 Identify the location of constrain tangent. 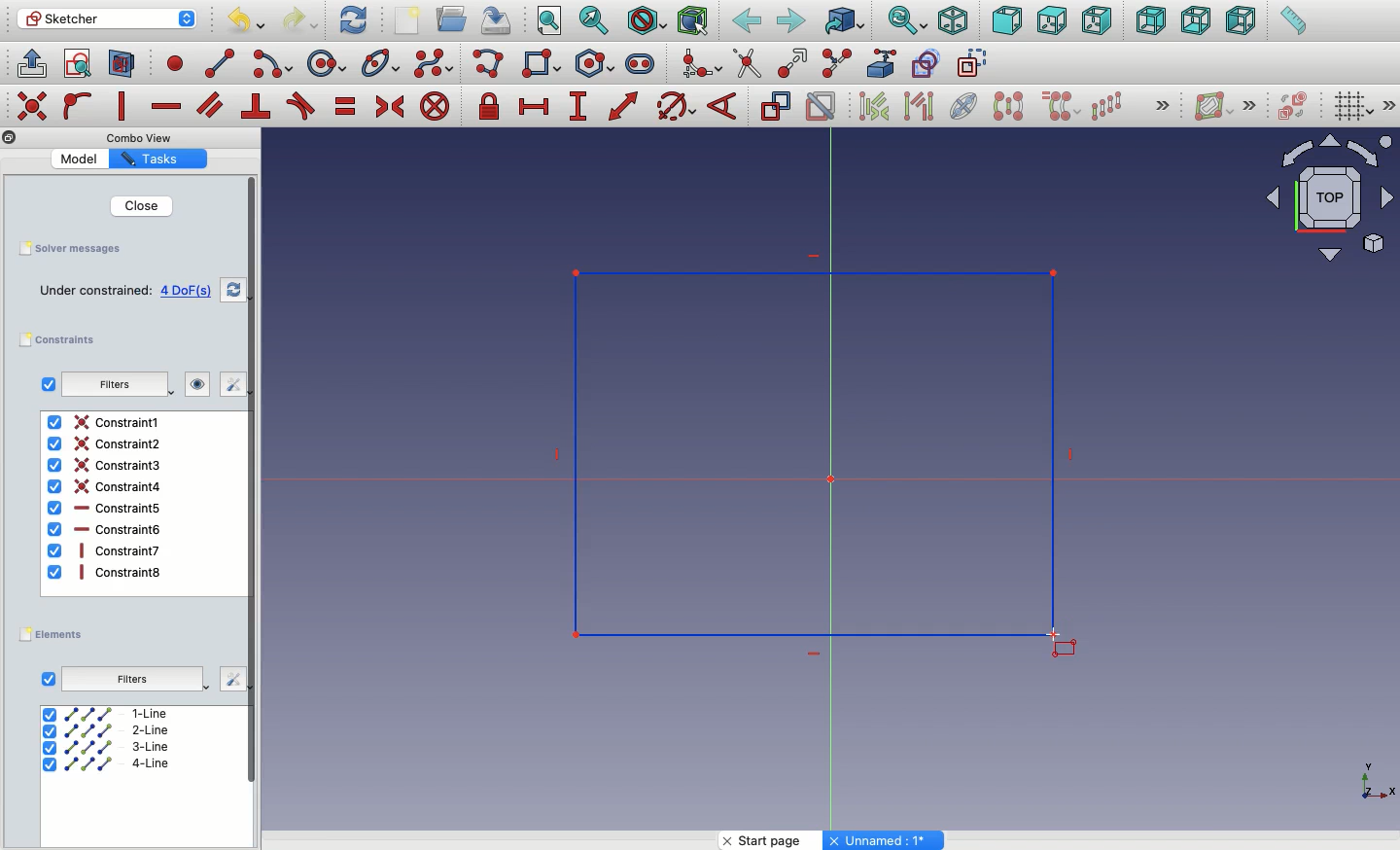
(301, 106).